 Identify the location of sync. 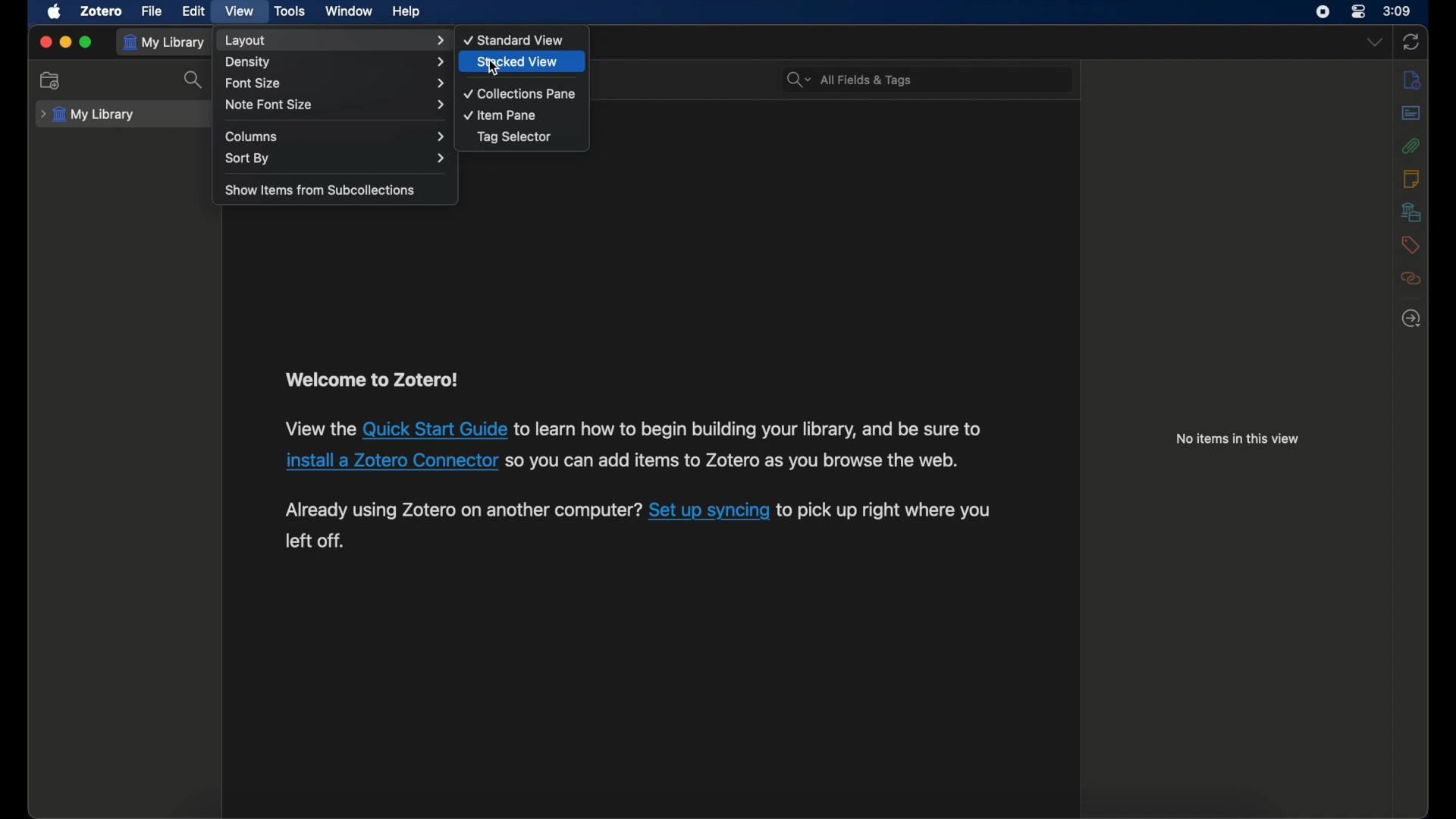
(1412, 42).